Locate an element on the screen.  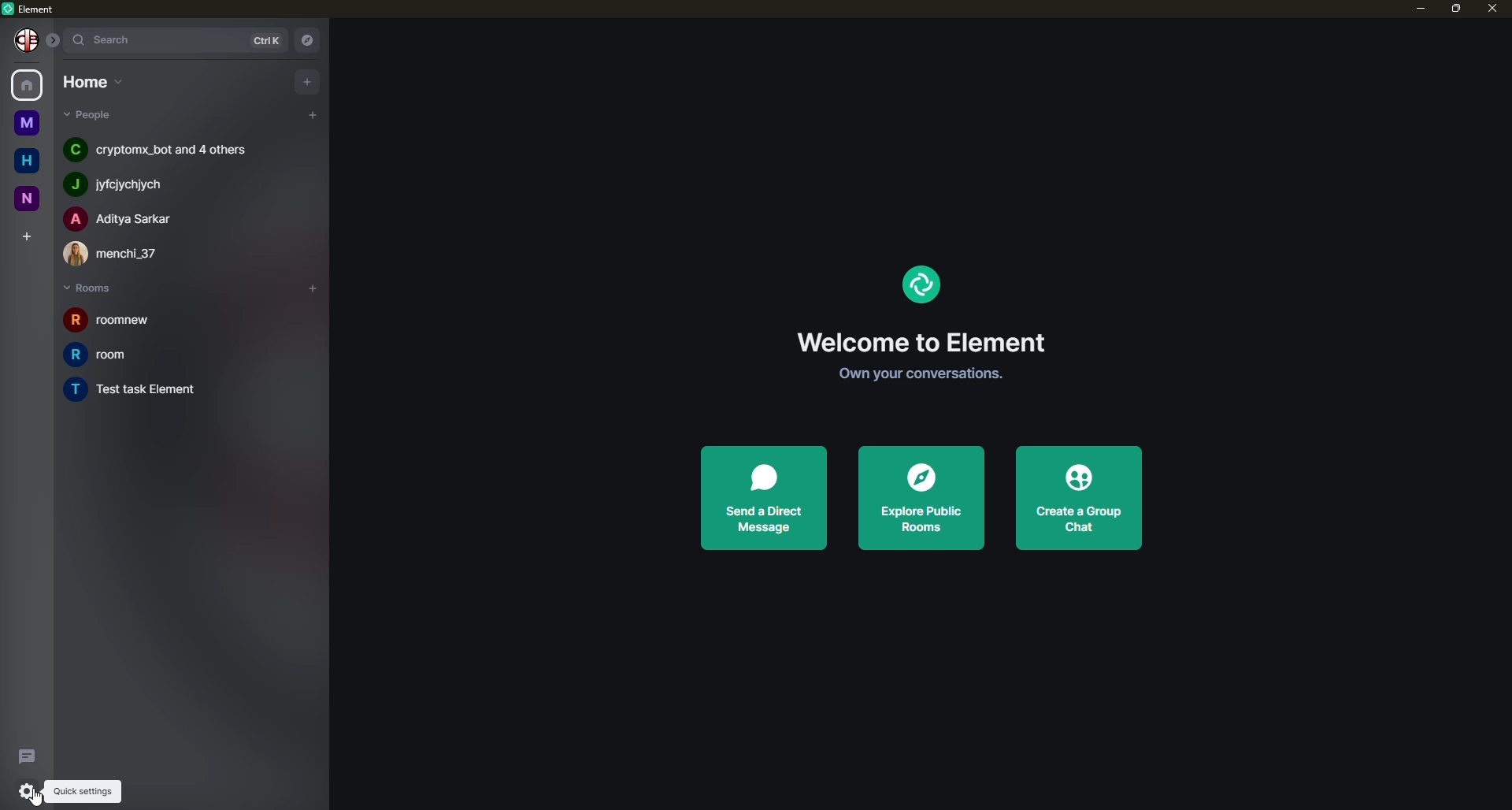
create space is located at coordinates (24, 232).